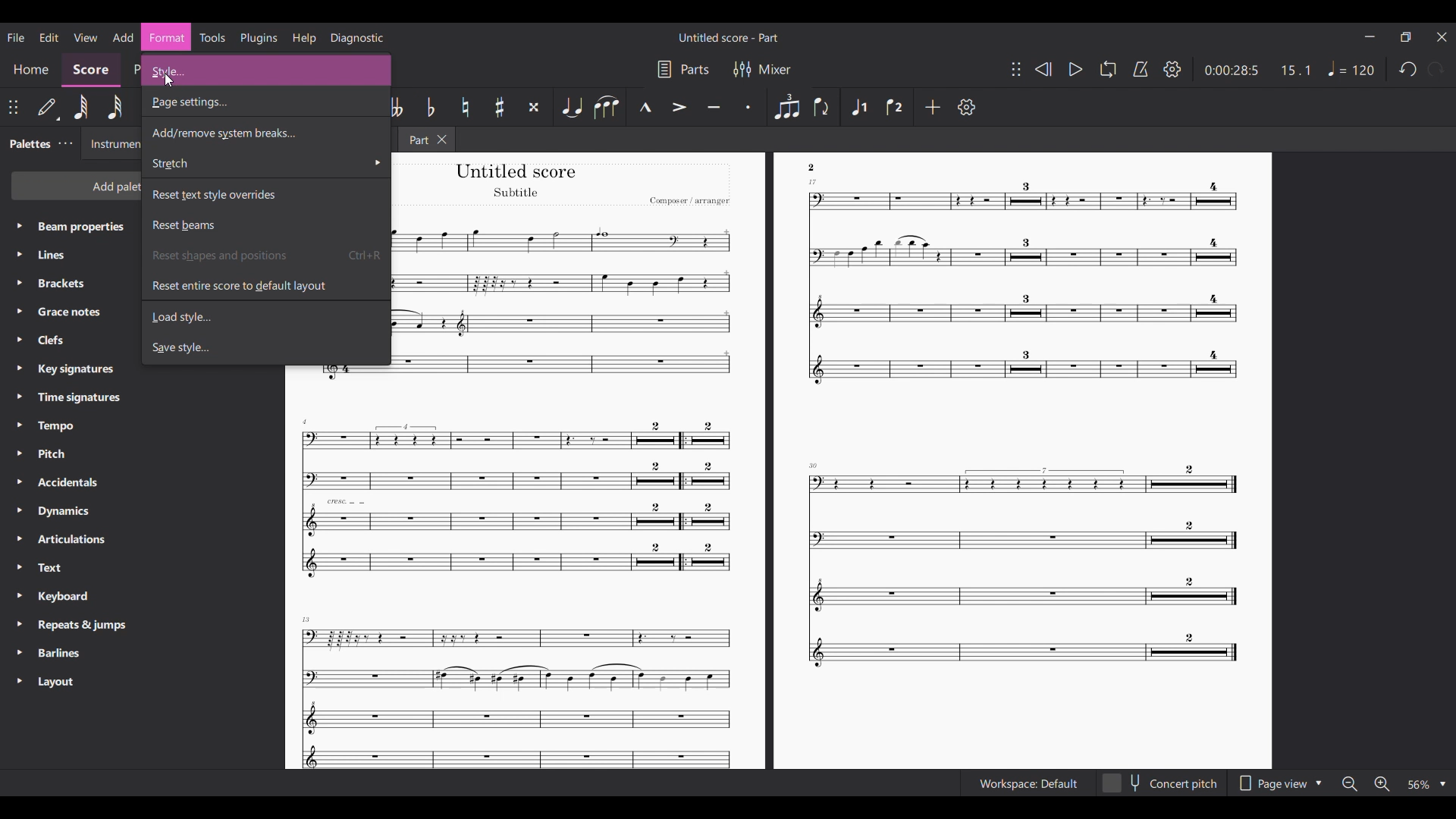 The image size is (1456, 819). What do you see at coordinates (1108, 69) in the screenshot?
I see `Loop playback` at bounding box center [1108, 69].